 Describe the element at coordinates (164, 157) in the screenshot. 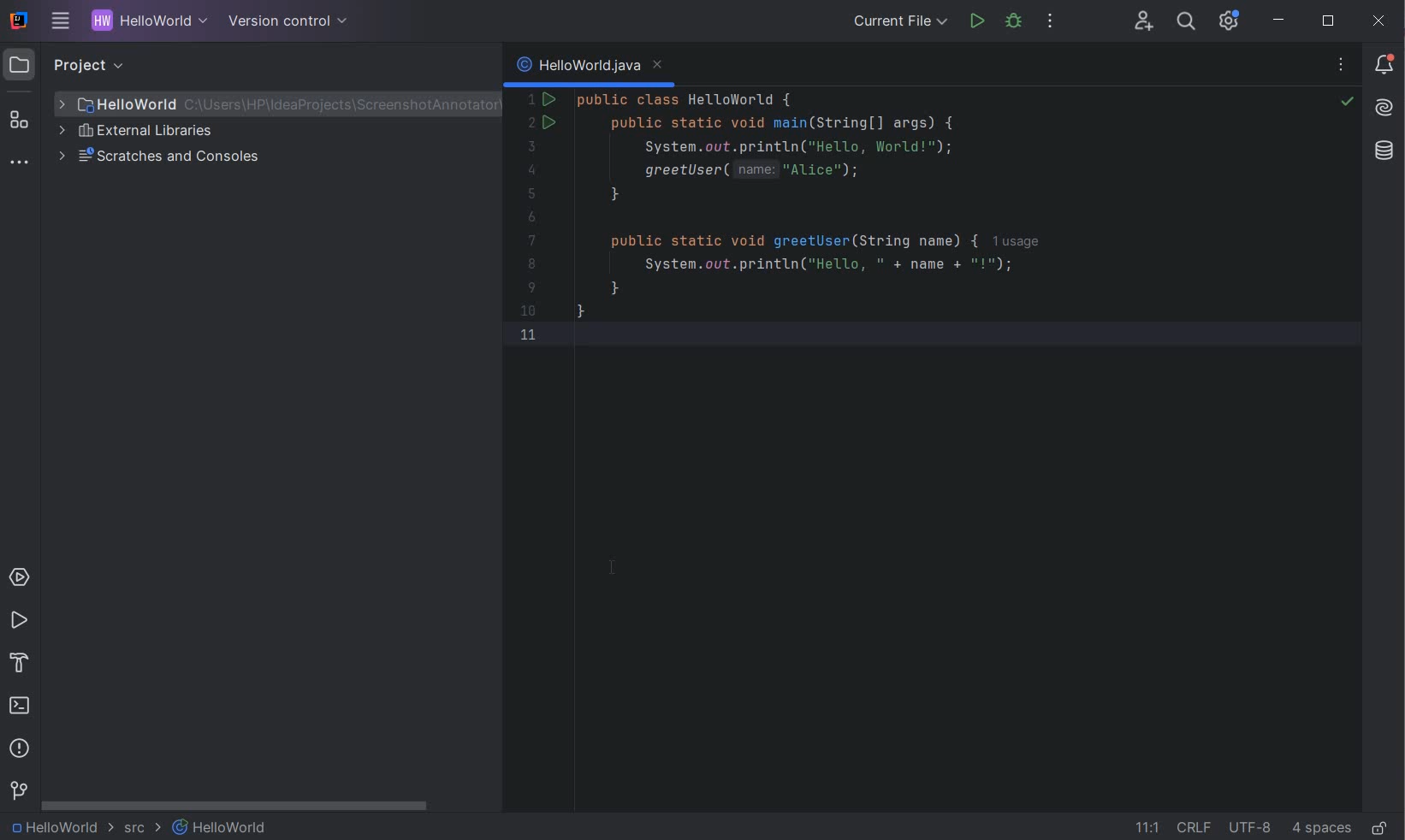

I see `SCRATCHES AND CONSOLES` at that location.